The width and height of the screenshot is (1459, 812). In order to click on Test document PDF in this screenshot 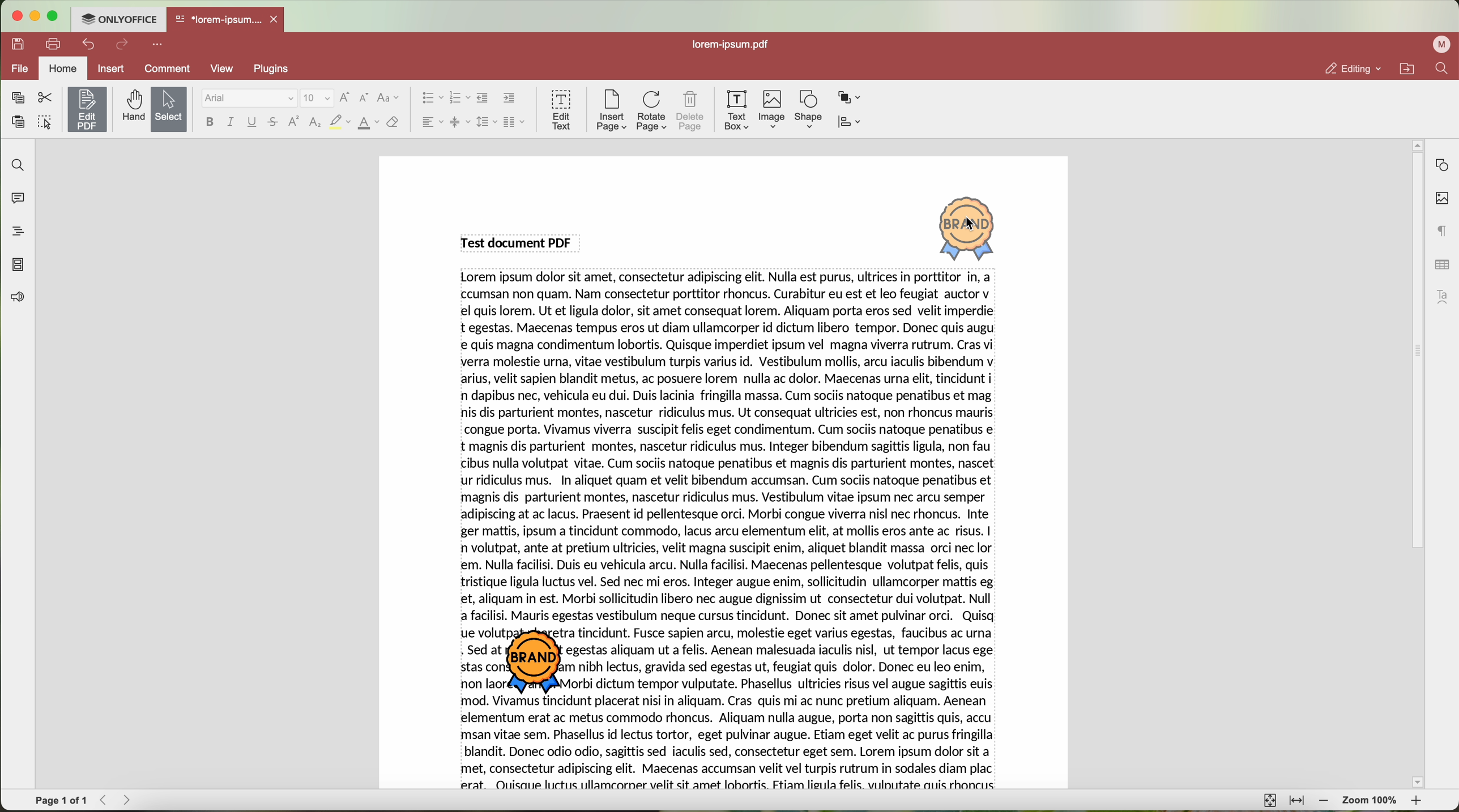, I will do `click(519, 242)`.